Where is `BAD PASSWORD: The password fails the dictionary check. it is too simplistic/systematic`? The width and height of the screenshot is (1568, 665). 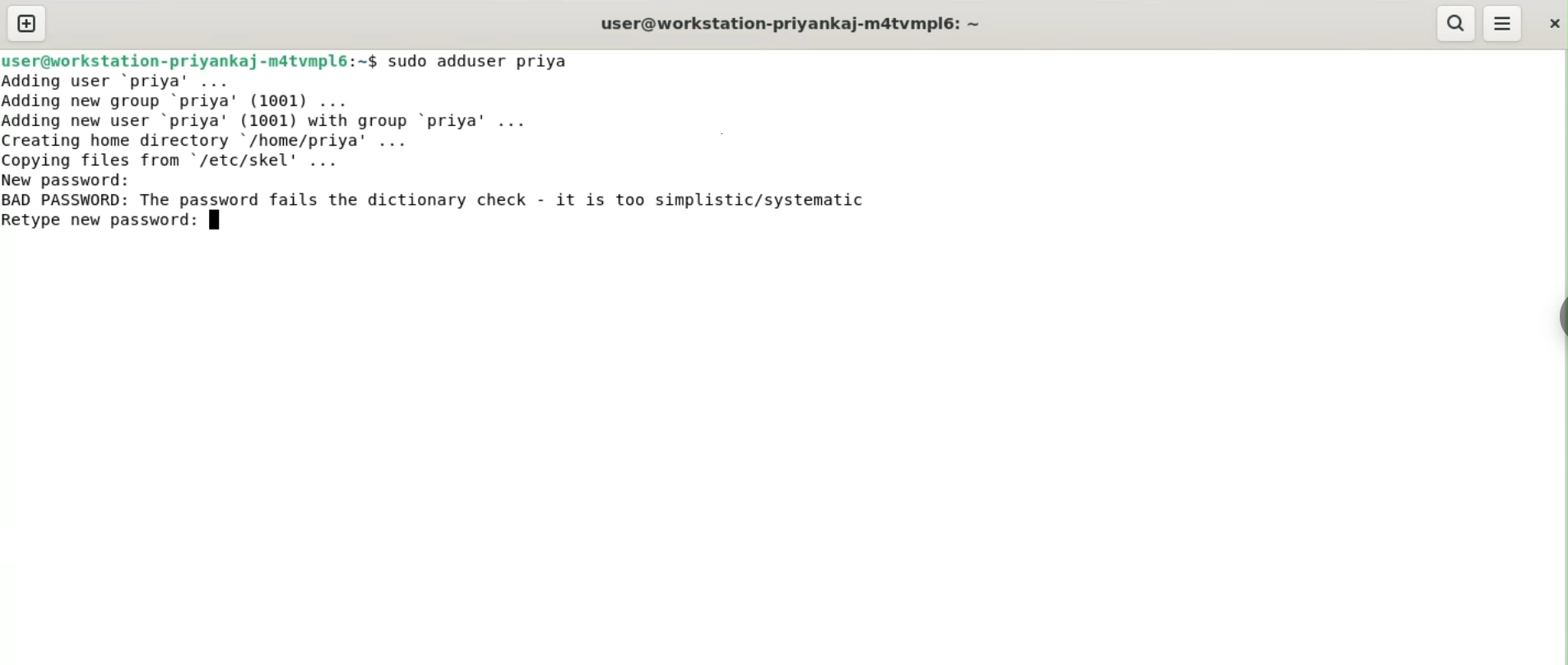 BAD PASSWORD: The password fails the dictionary check. it is too simplistic/systematic is located at coordinates (464, 201).